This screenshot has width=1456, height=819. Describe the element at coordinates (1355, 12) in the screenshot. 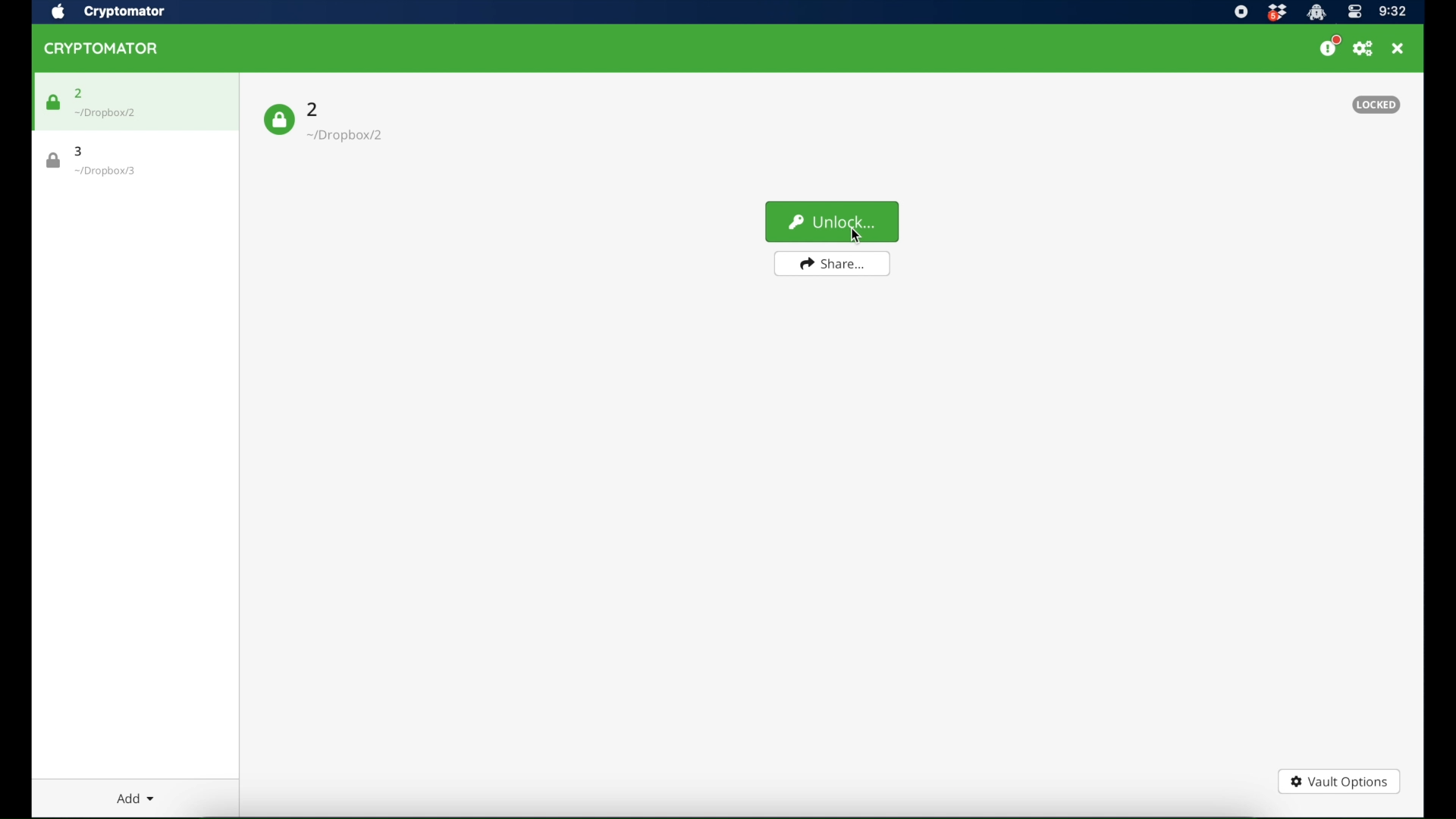

I see `control center` at that location.